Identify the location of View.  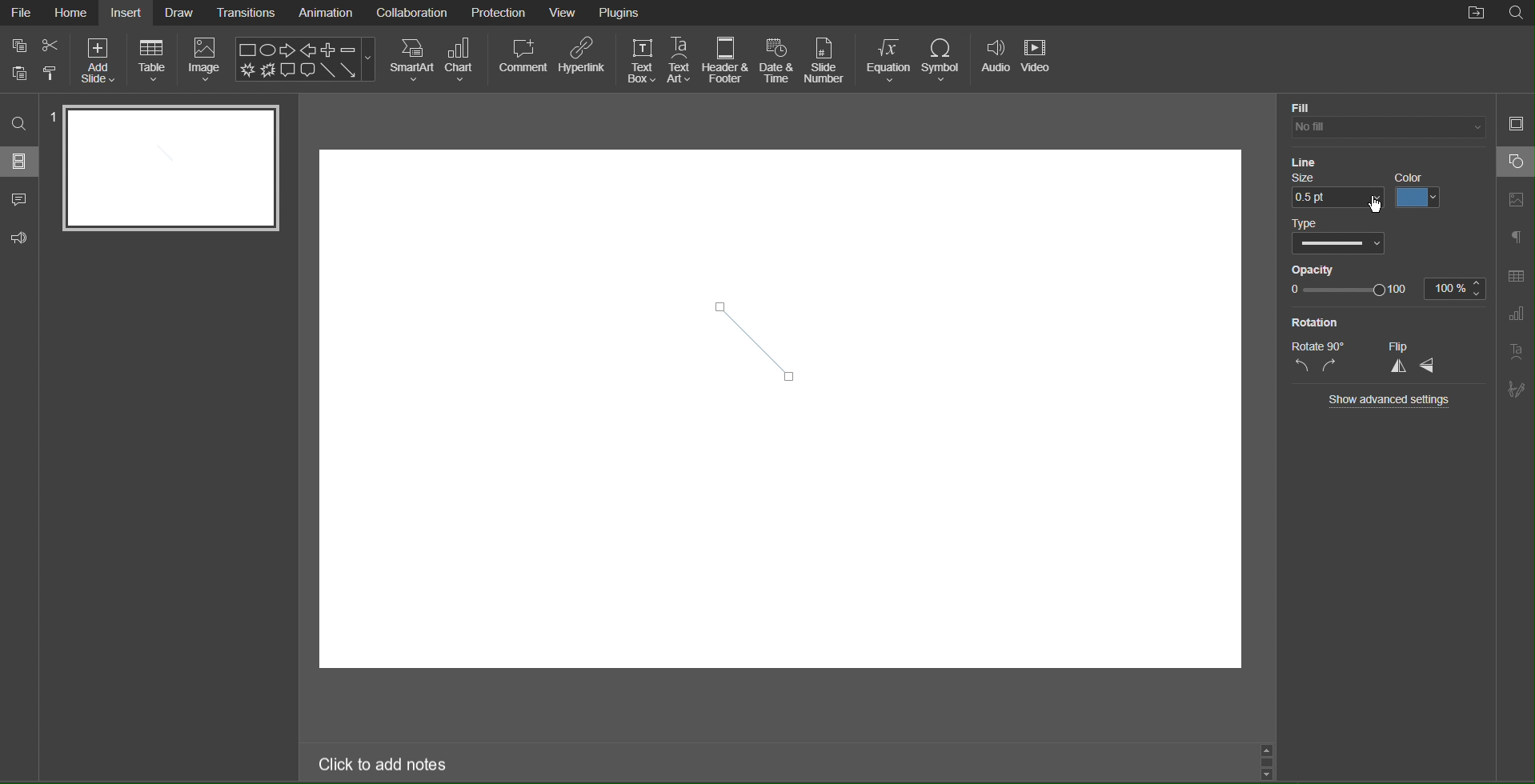
(564, 12).